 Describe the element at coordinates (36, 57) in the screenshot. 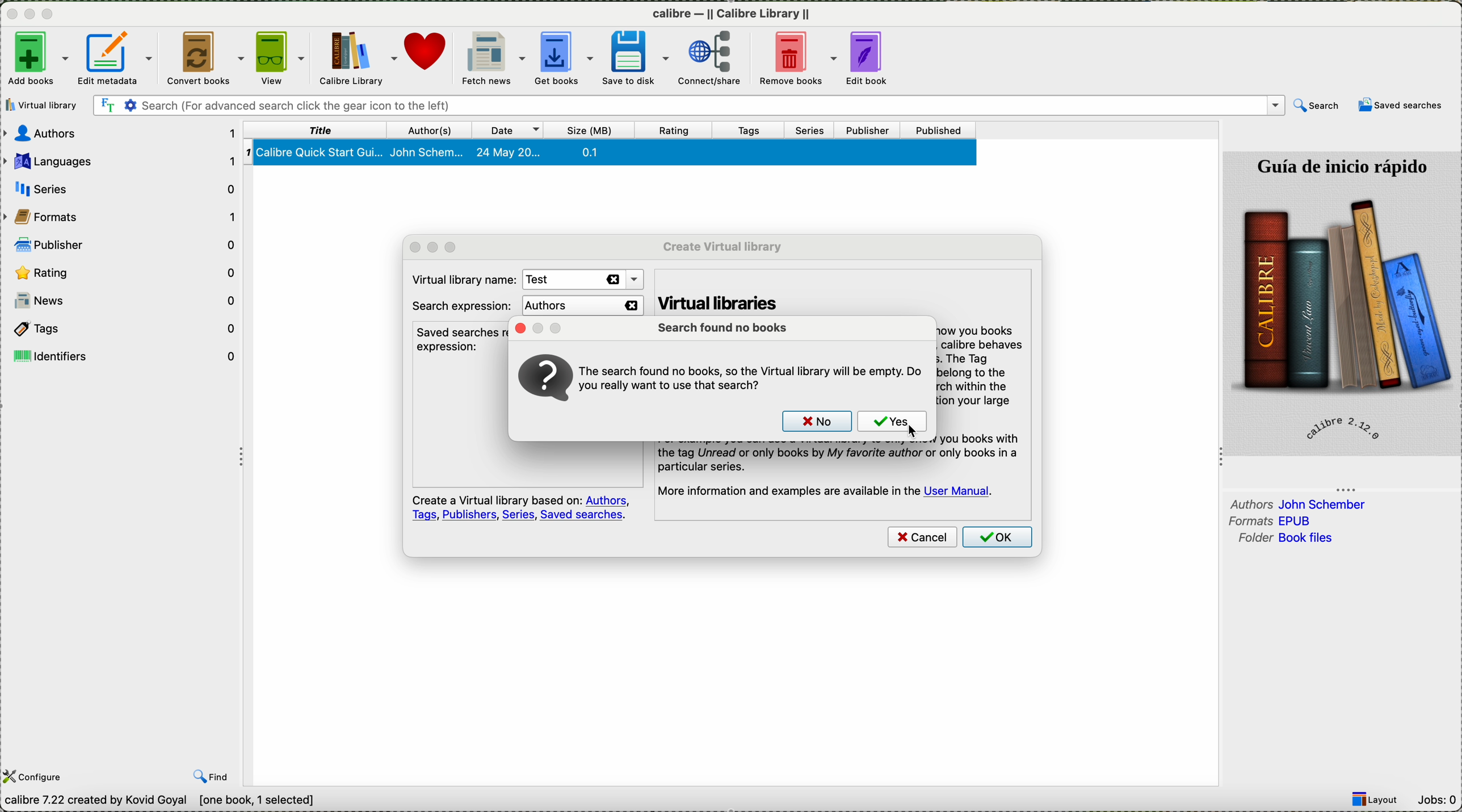

I see `add books` at that location.